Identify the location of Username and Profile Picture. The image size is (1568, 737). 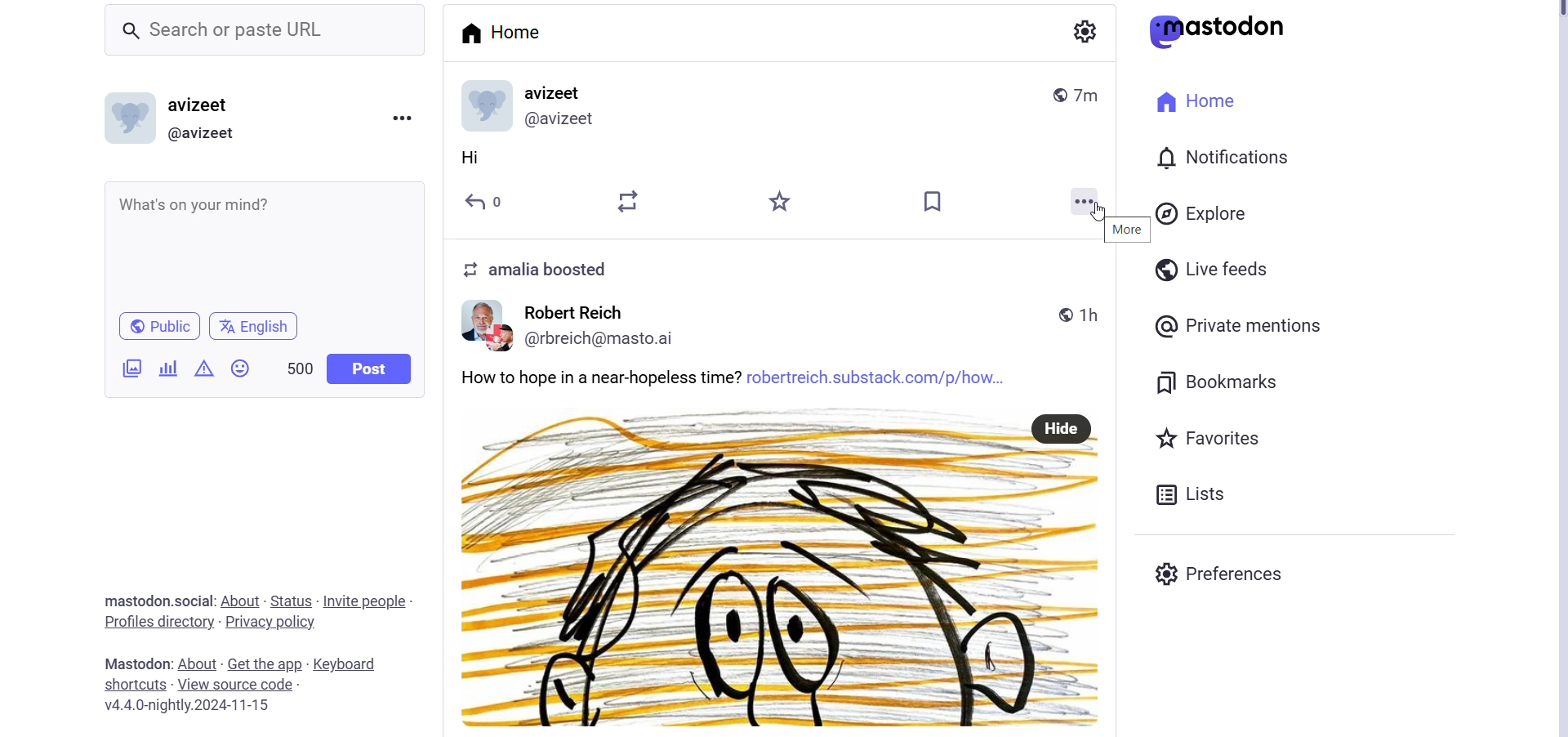
(578, 329).